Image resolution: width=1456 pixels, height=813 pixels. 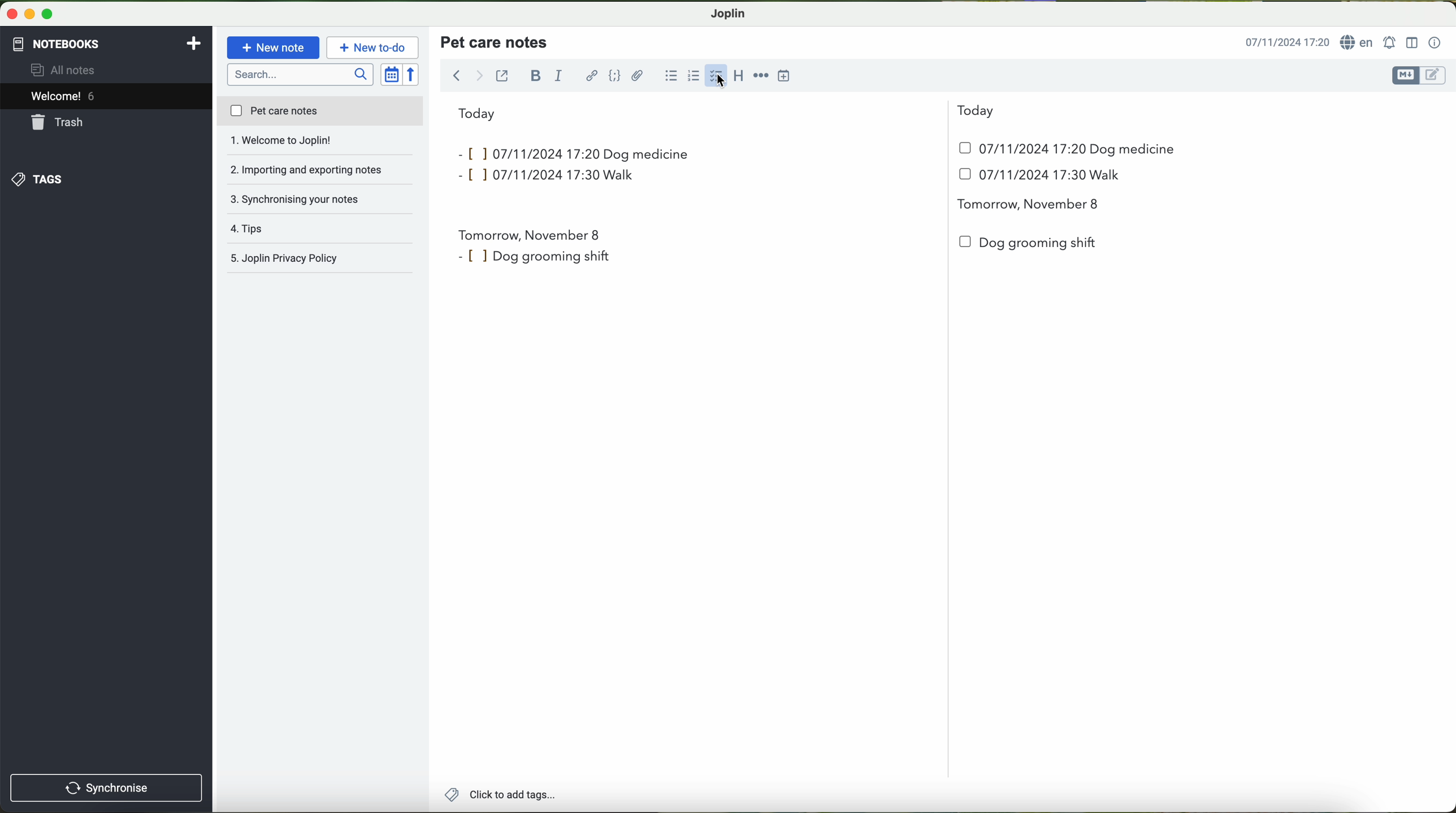 I want to click on set alarm, so click(x=1391, y=42).